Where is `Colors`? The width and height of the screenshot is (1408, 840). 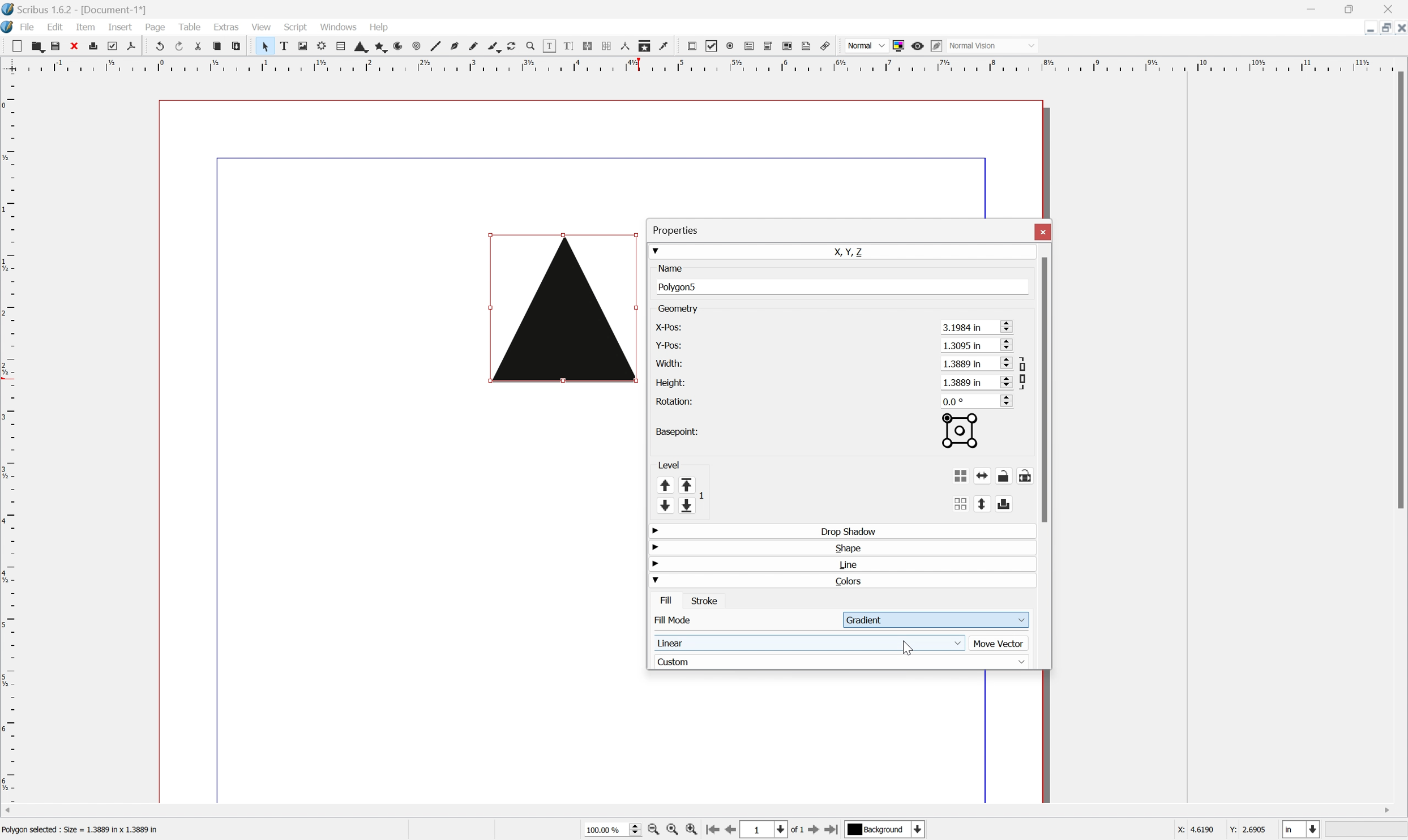 Colors is located at coordinates (854, 581).